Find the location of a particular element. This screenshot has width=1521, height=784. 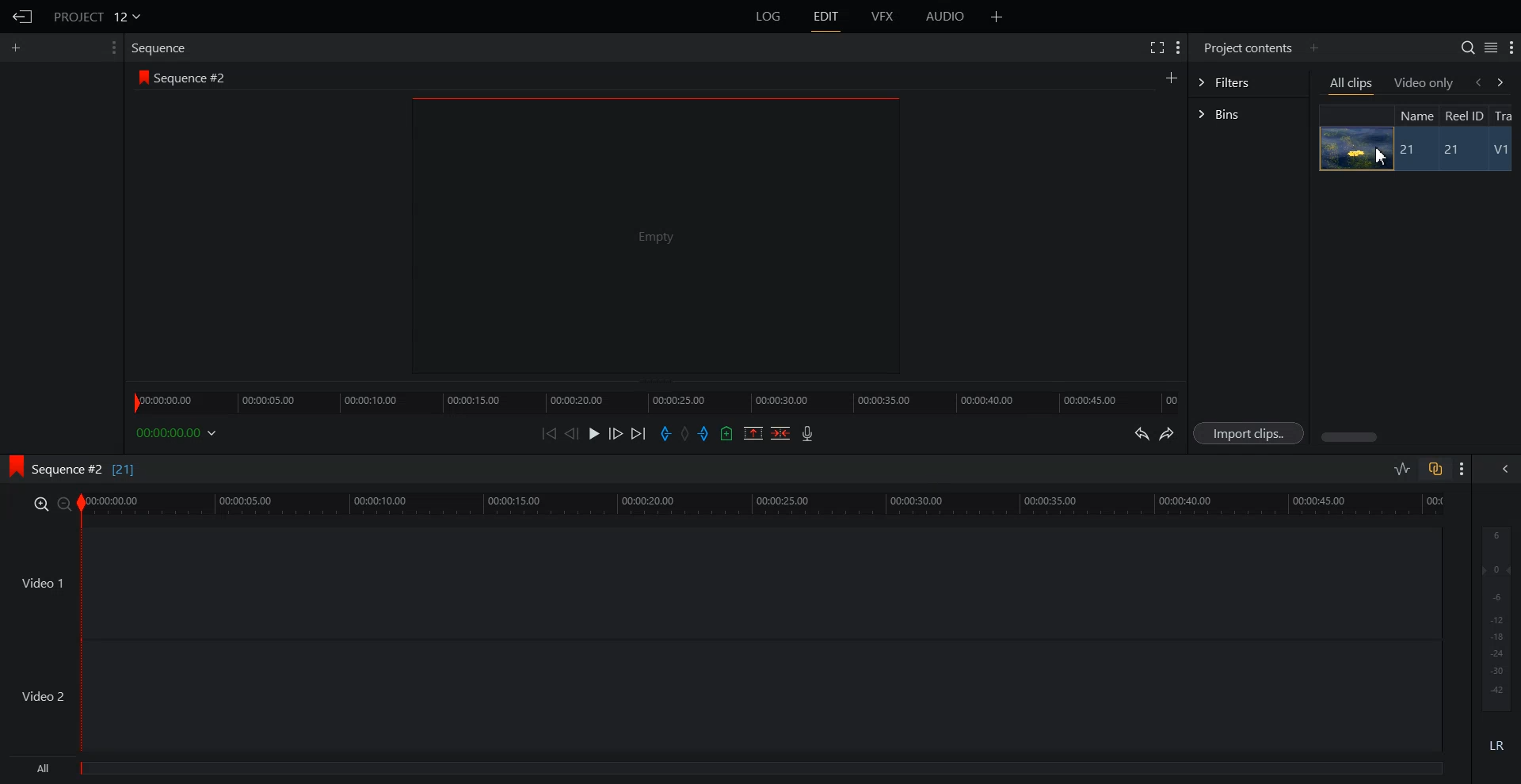

Video only is located at coordinates (1424, 82).